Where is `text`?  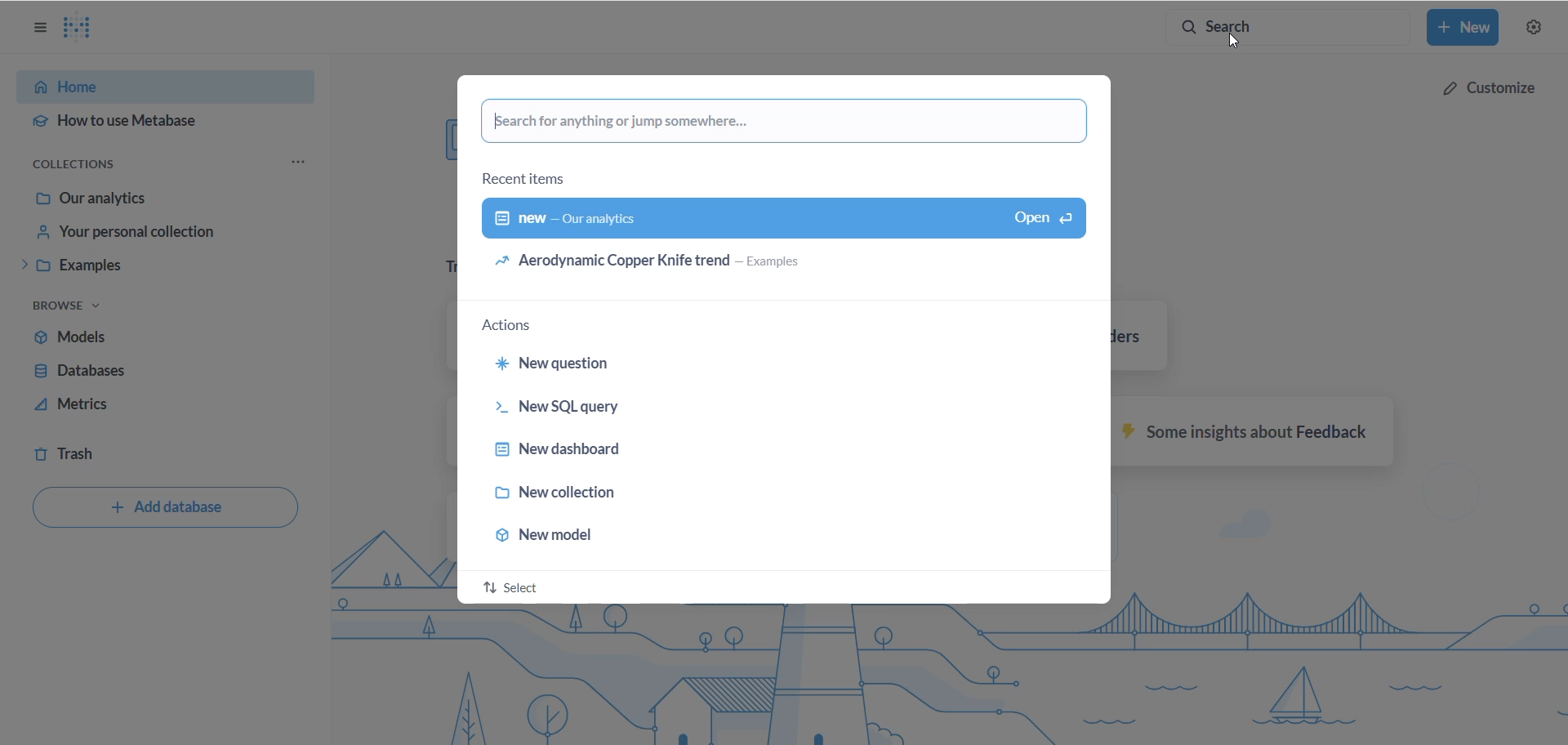 text is located at coordinates (1245, 431).